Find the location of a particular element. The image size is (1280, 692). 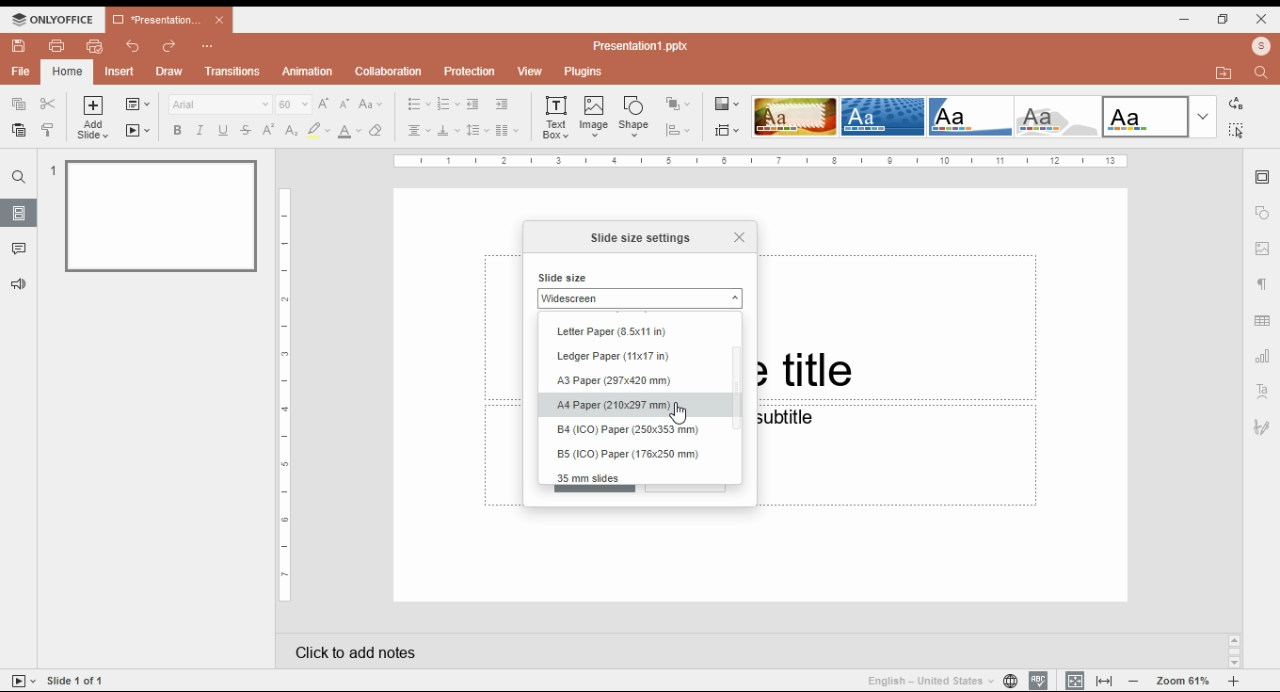

minimize is located at coordinates (1185, 18).